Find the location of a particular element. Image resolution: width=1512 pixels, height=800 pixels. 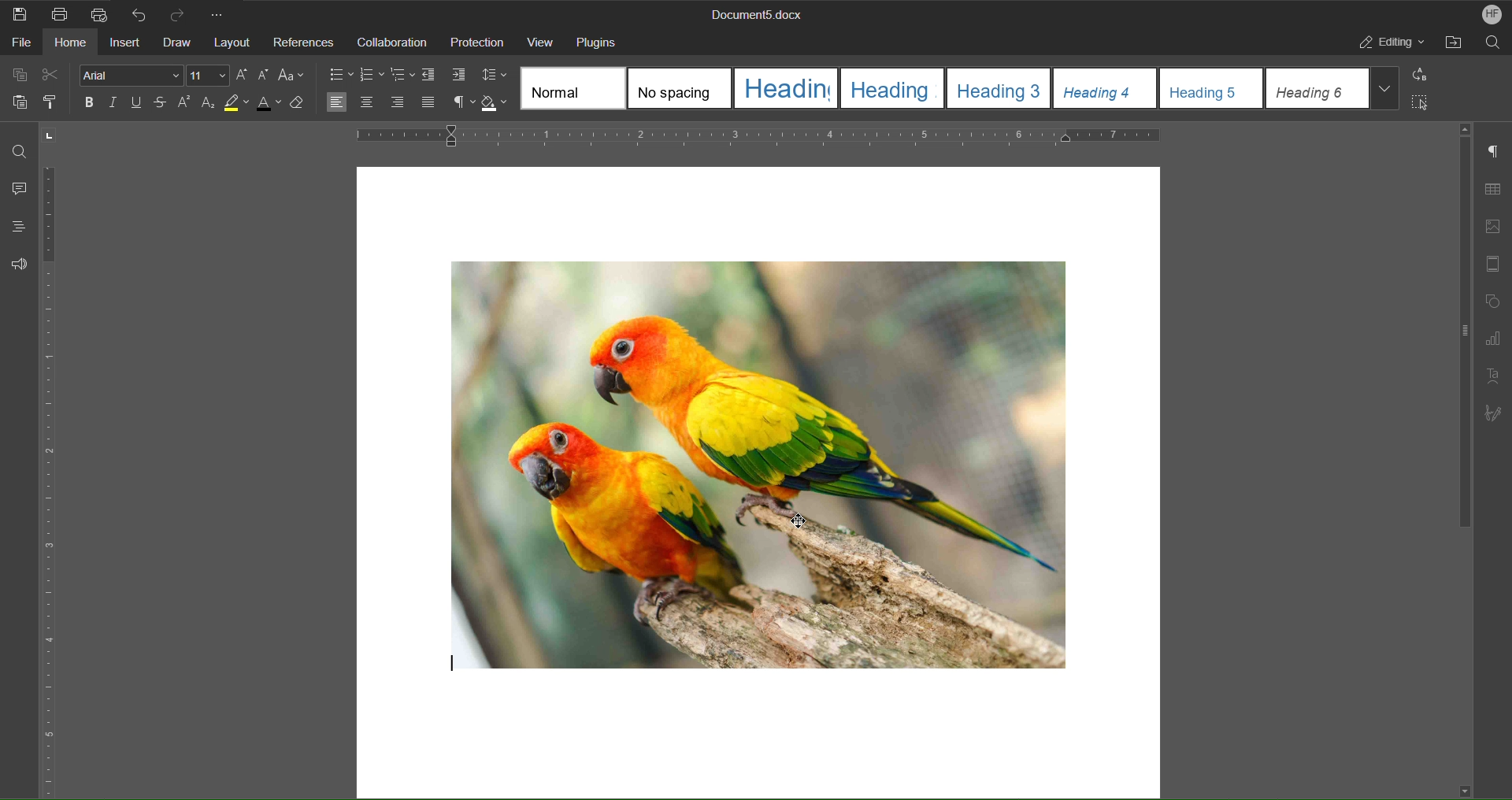

More is located at coordinates (221, 13).